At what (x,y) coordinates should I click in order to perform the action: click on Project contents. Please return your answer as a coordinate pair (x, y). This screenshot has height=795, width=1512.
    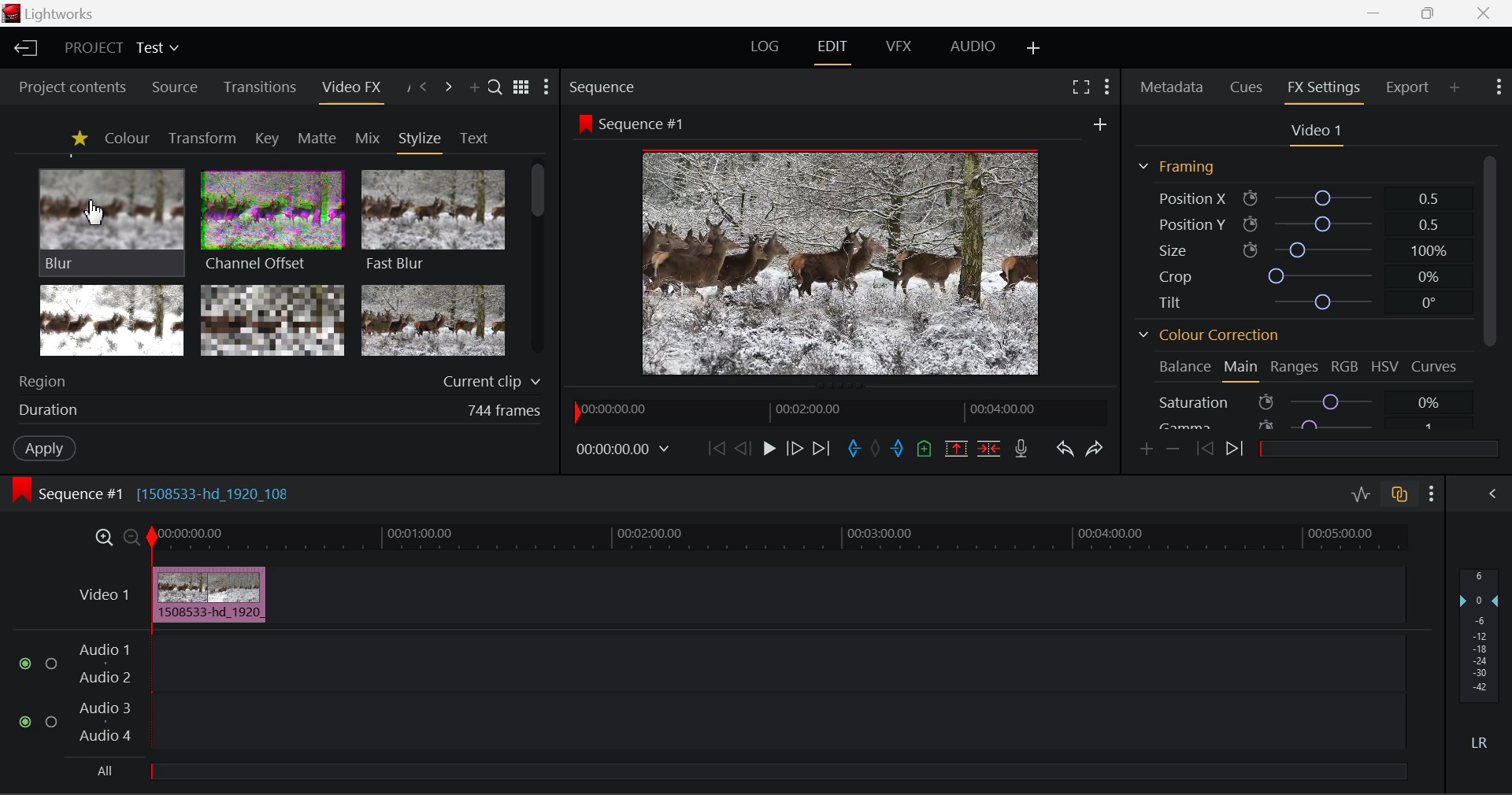
    Looking at the image, I should click on (72, 87).